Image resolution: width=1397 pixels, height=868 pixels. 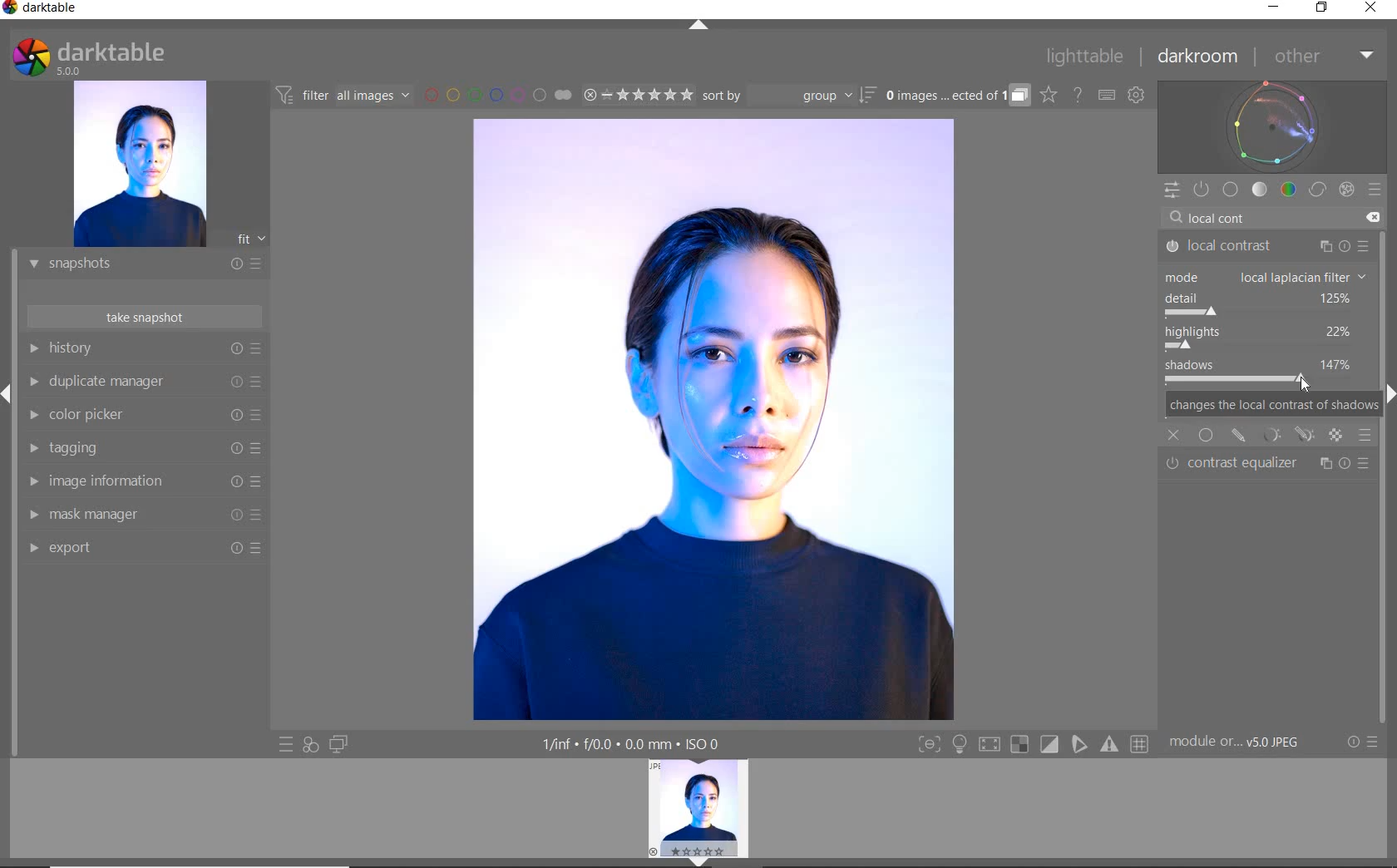 What do you see at coordinates (1141, 745) in the screenshot?
I see `Button` at bounding box center [1141, 745].